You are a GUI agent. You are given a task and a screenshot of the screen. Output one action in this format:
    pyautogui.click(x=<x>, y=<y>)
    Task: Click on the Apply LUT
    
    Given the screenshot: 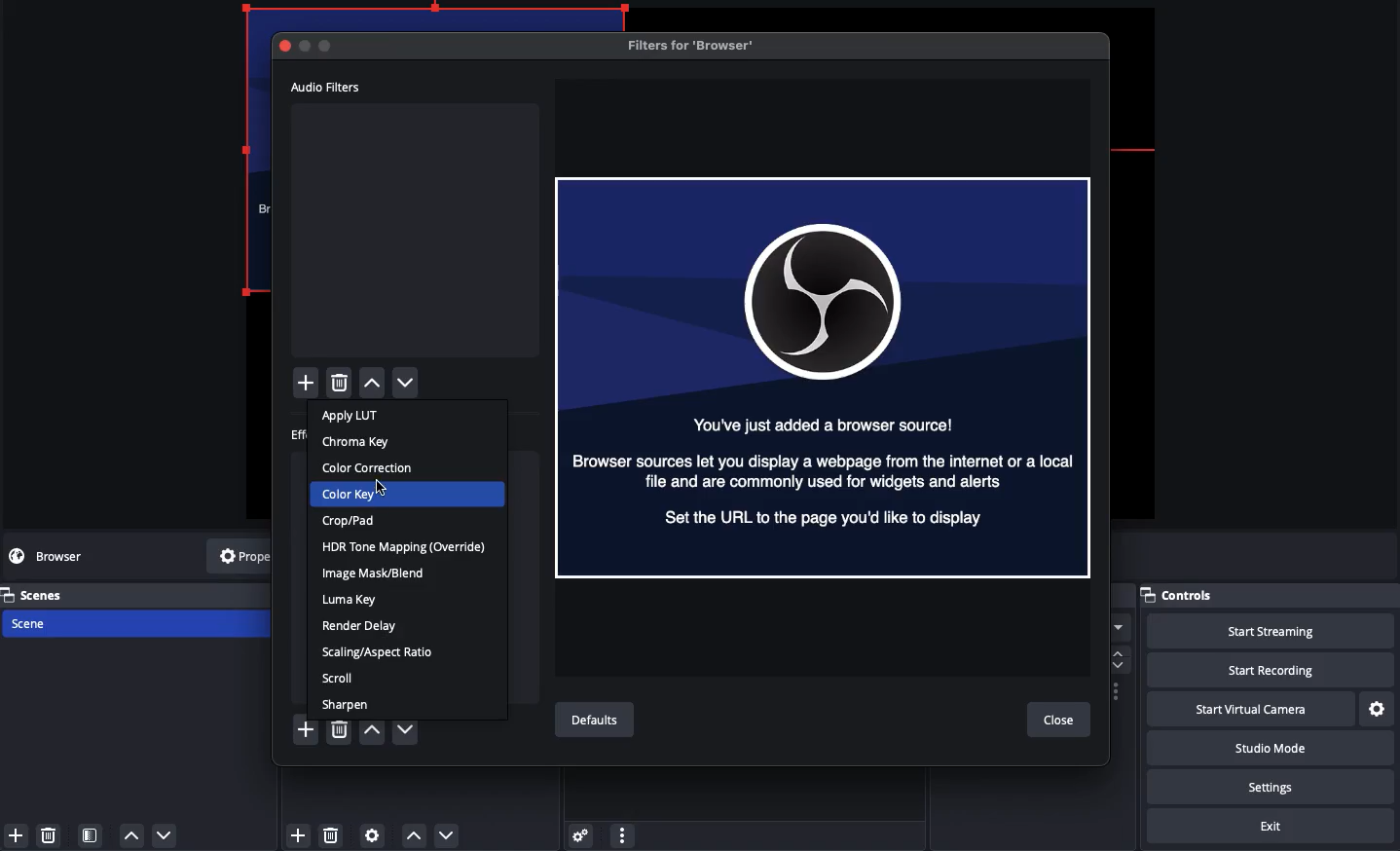 What is the action you would take?
    pyautogui.click(x=353, y=416)
    